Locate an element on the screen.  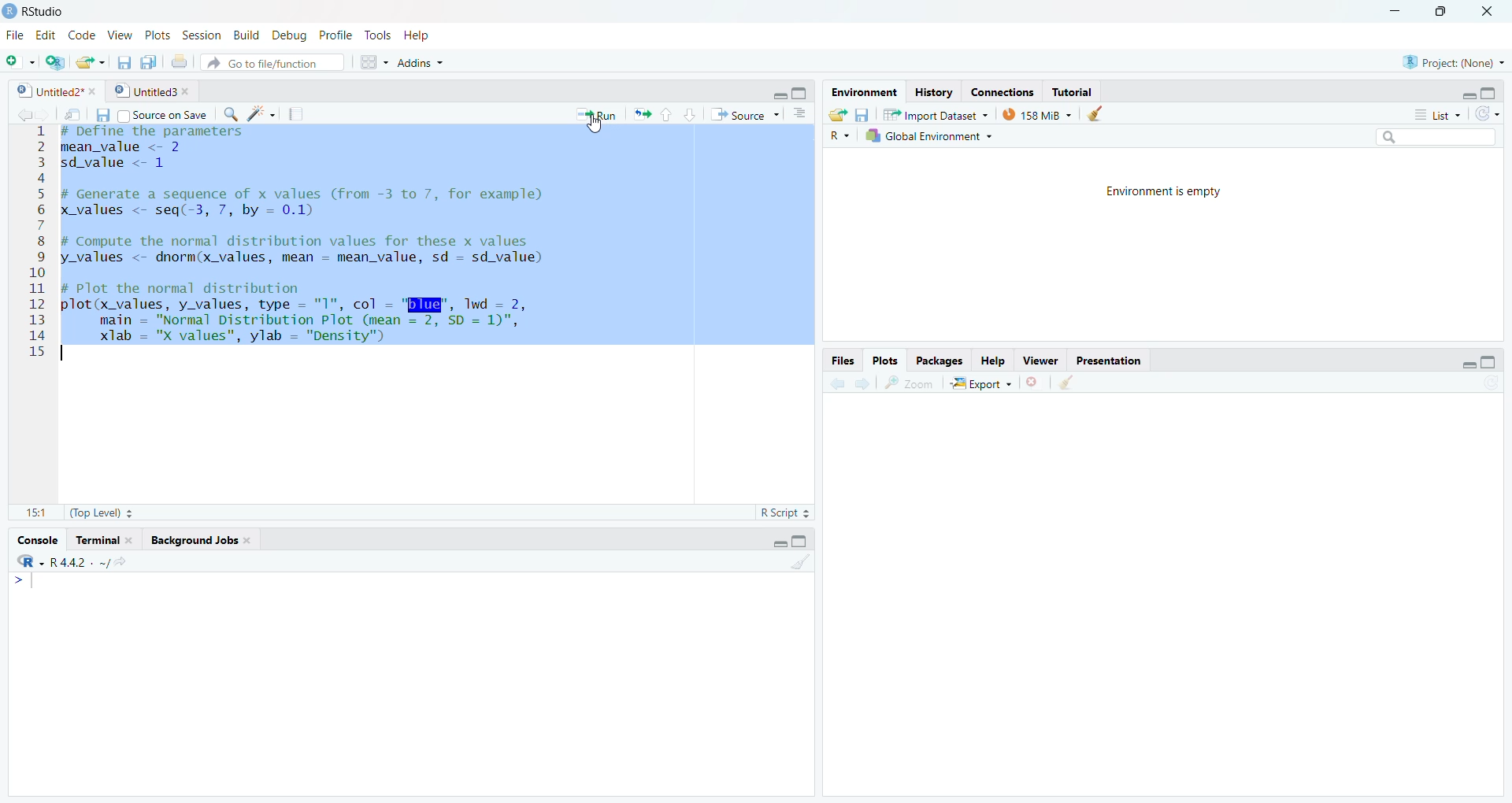
Viewer is located at coordinates (1041, 361).